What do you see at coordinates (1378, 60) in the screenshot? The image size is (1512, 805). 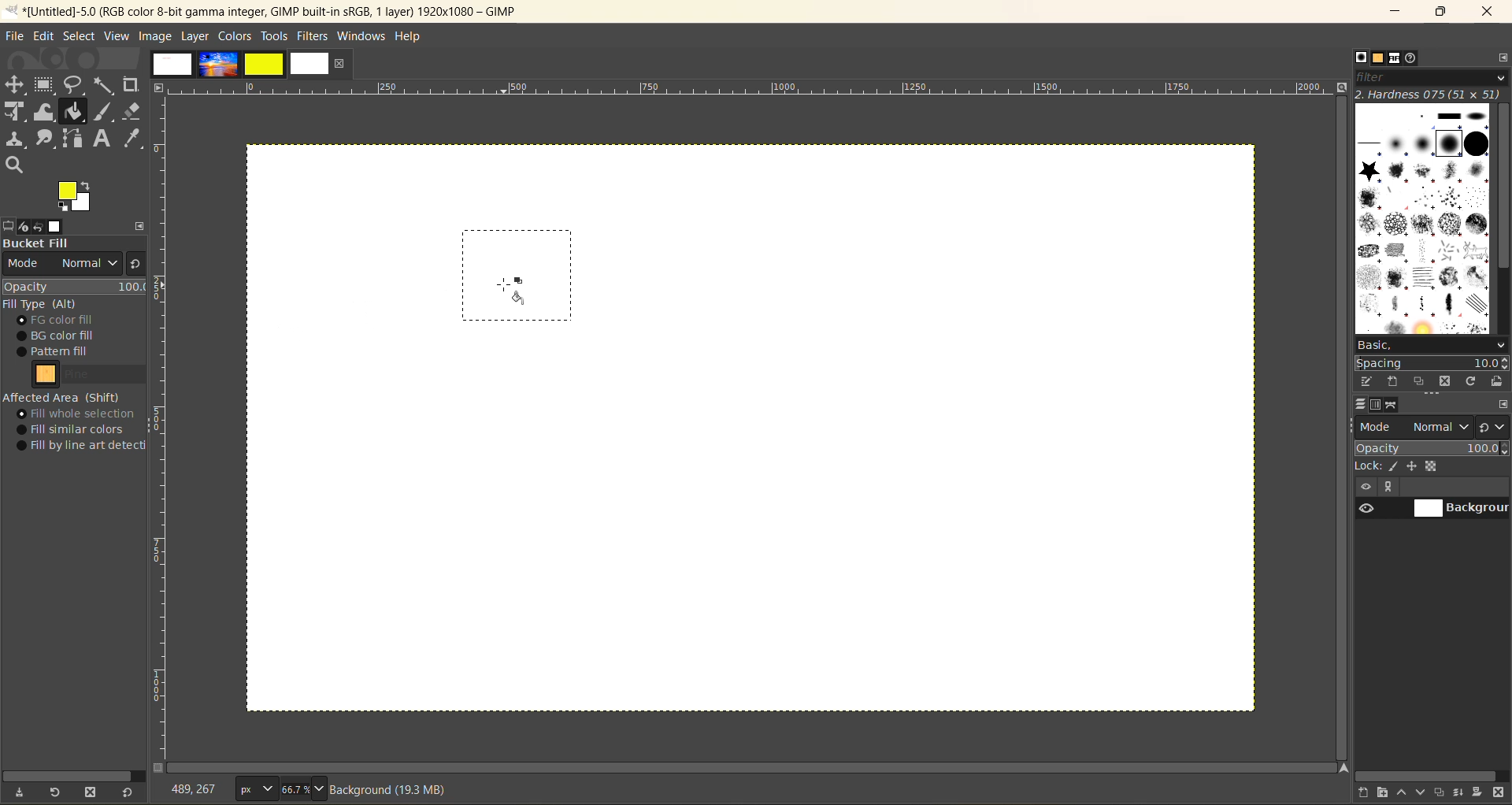 I see `patterns` at bounding box center [1378, 60].